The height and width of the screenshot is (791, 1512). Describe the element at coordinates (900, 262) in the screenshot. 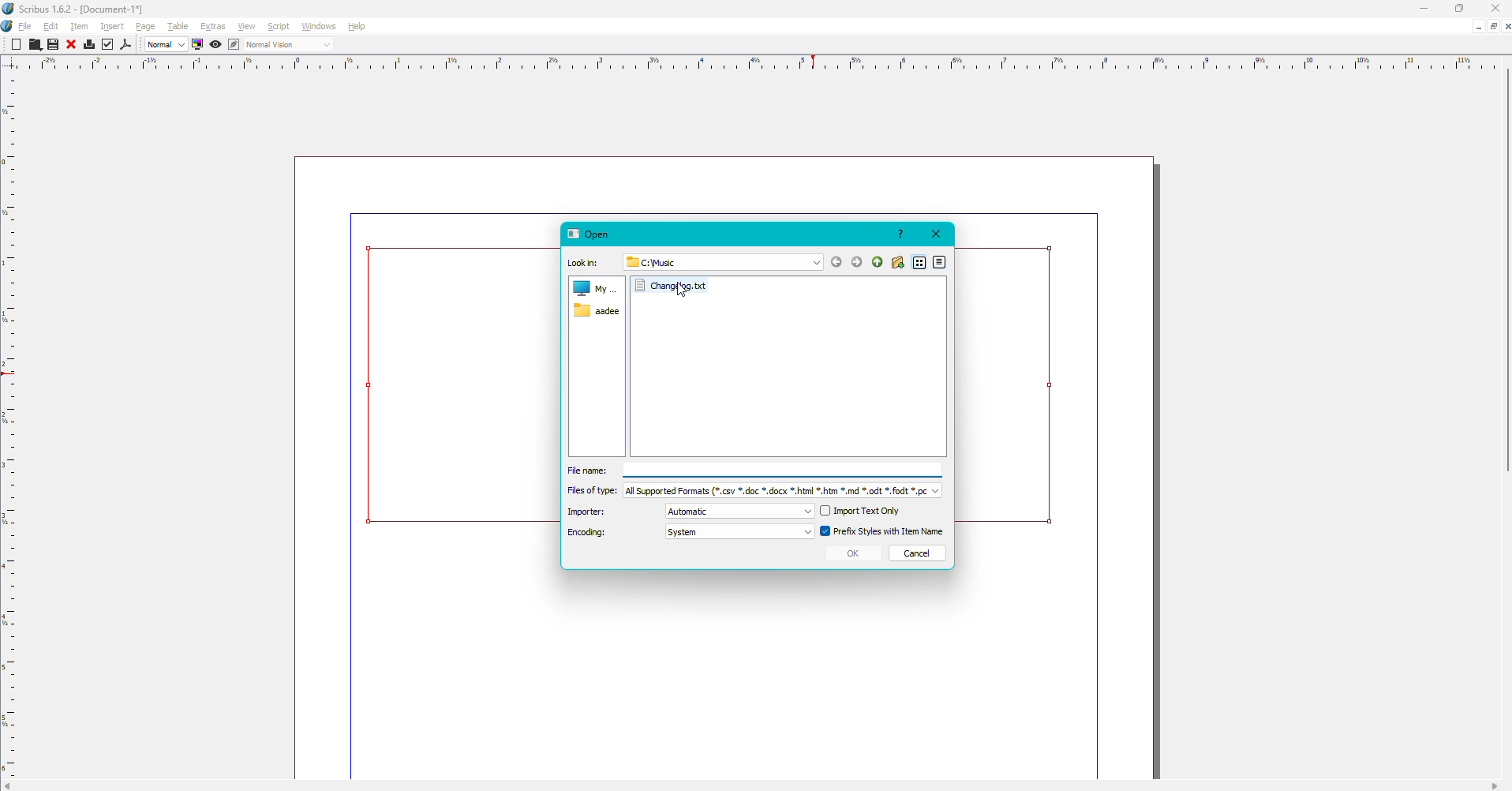

I see `add folder` at that location.